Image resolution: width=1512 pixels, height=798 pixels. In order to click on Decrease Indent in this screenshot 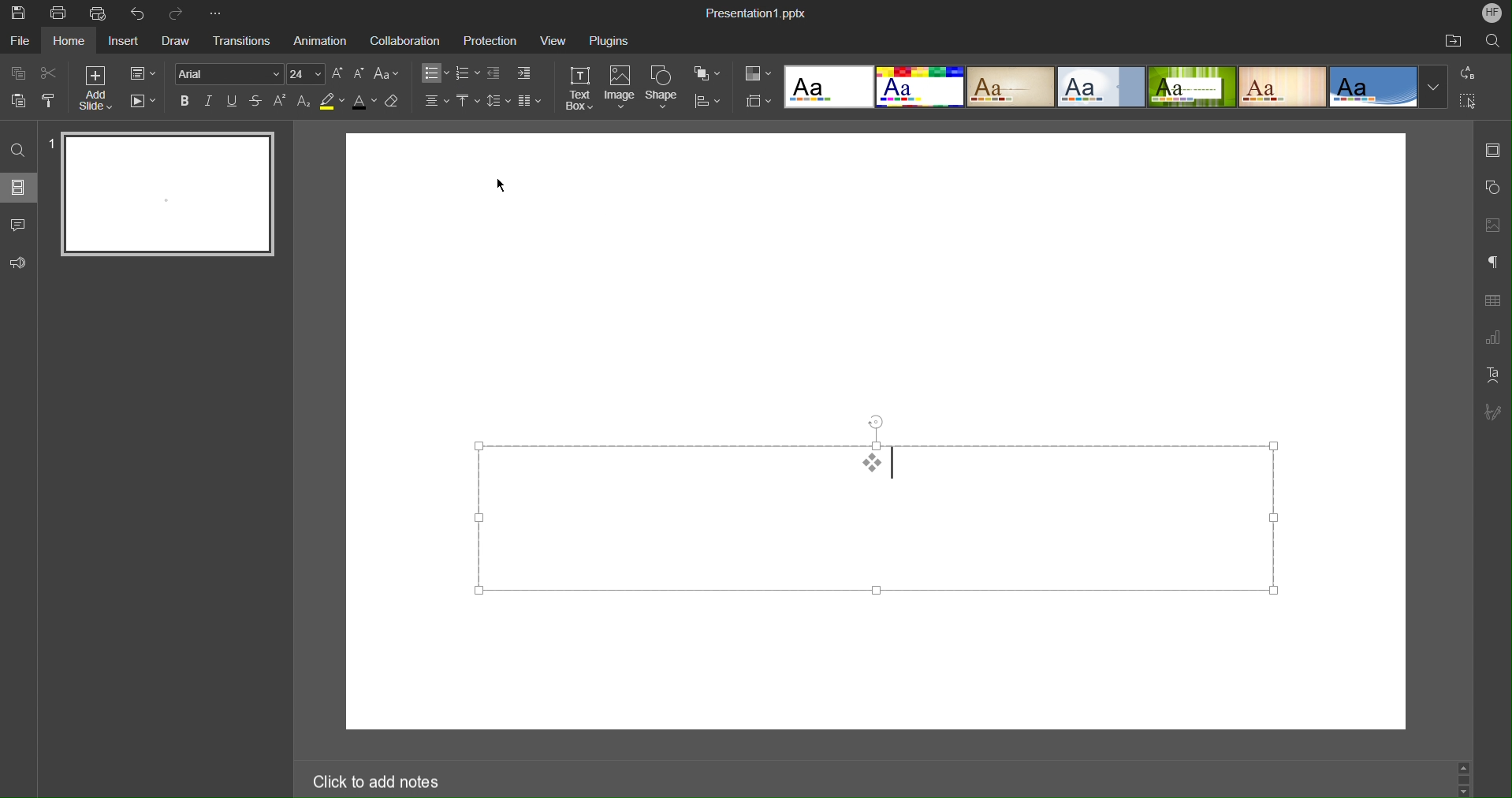, I will do `click(524, 74)`.